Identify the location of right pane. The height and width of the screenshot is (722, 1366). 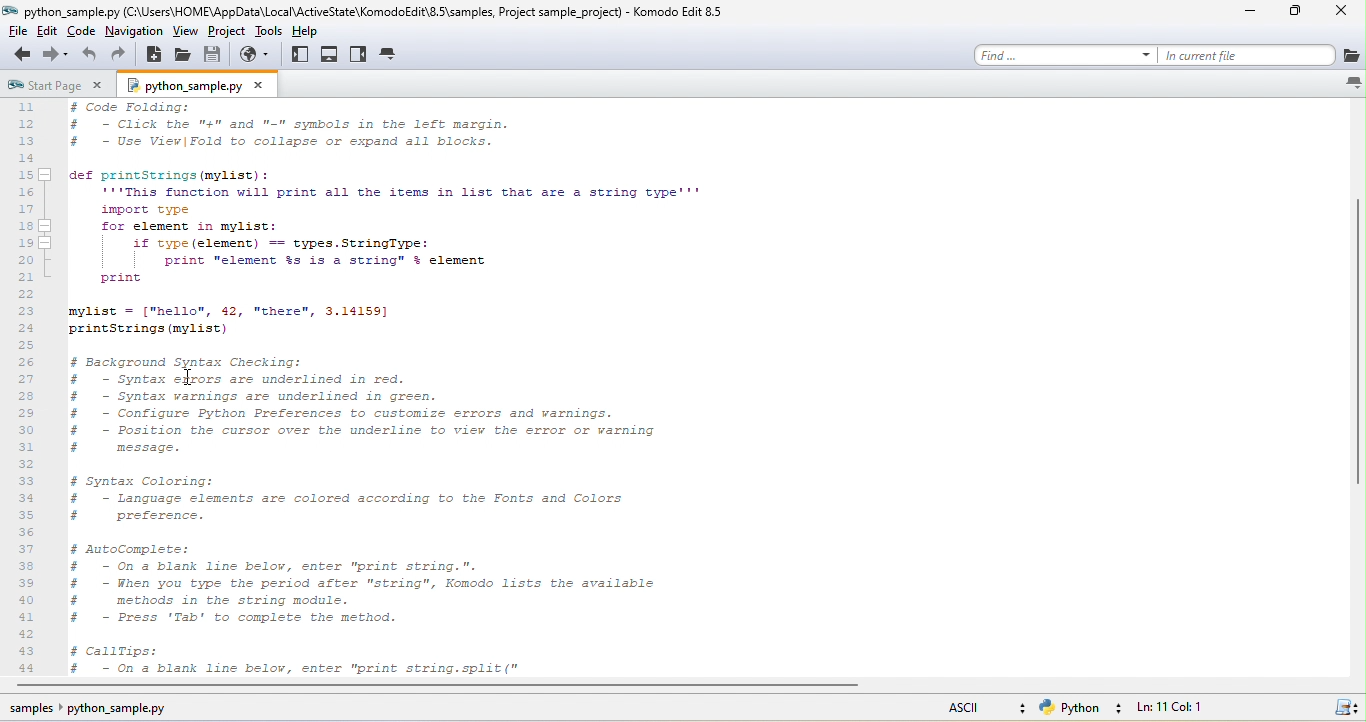
(361, 54).